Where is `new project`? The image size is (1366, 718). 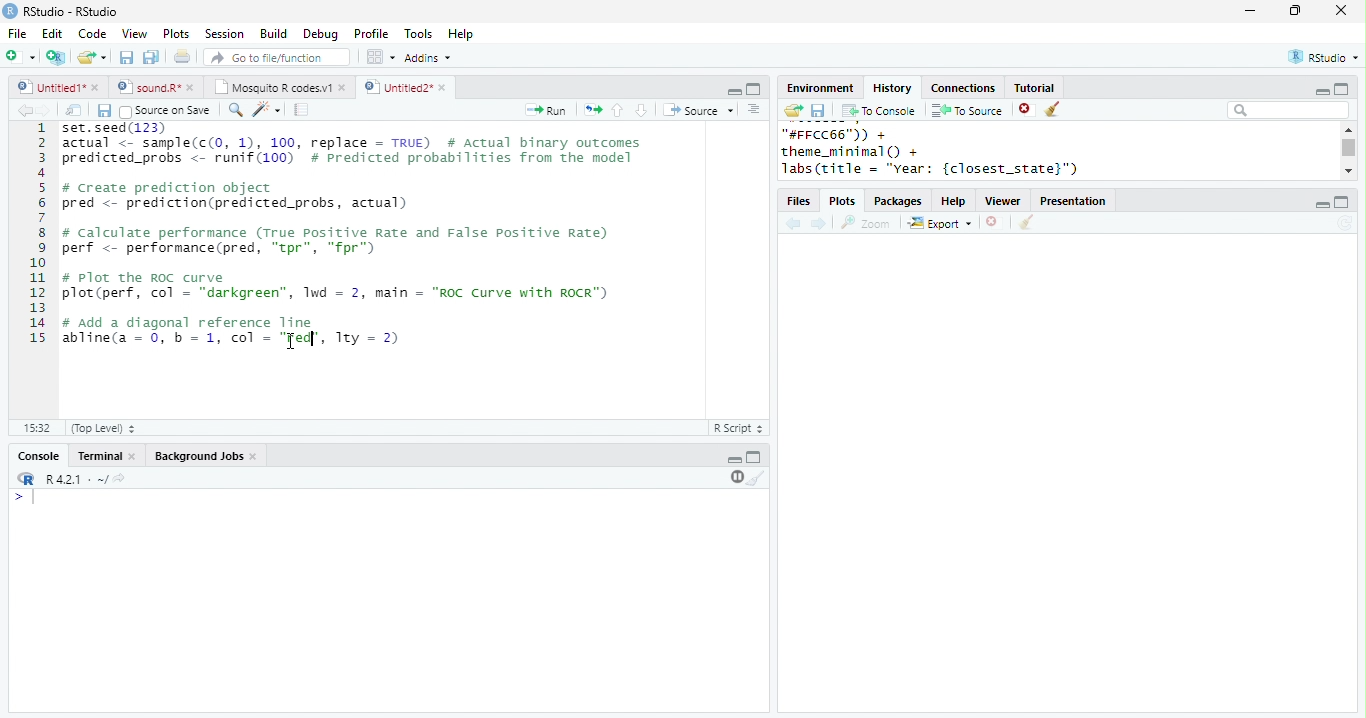
new project is located at coordinates (57, 57).